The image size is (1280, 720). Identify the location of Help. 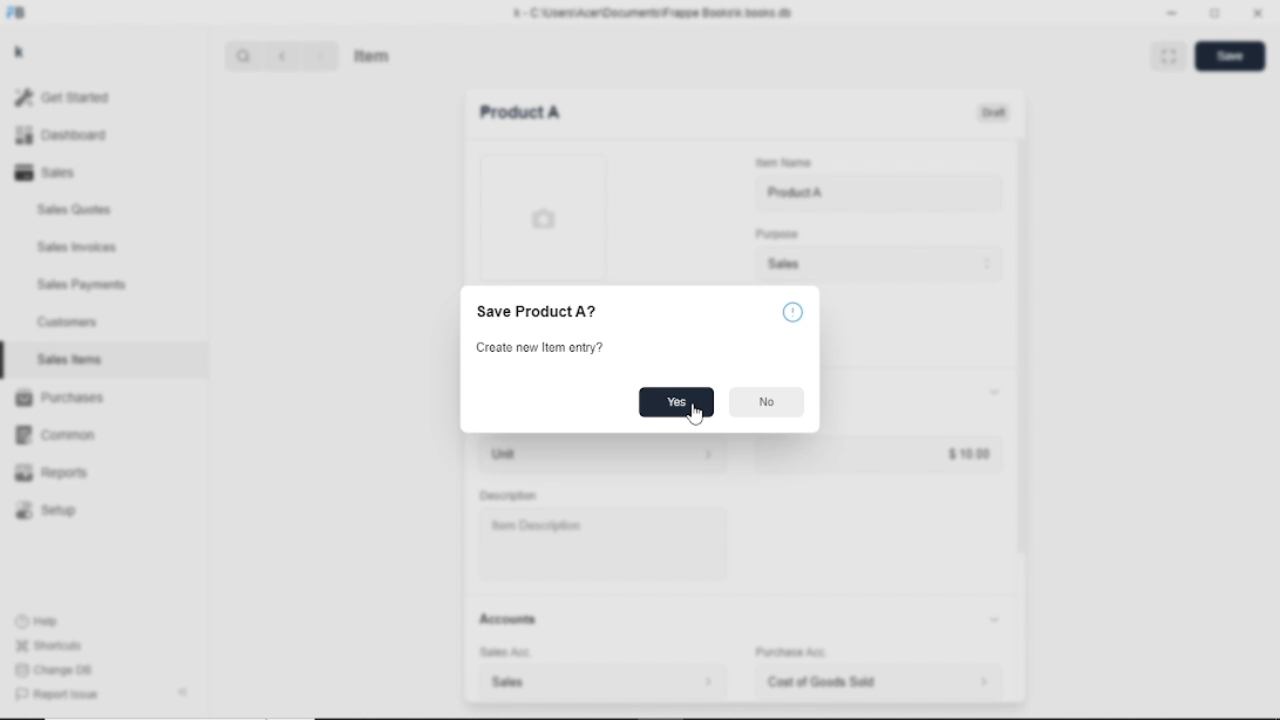
(41, 621).